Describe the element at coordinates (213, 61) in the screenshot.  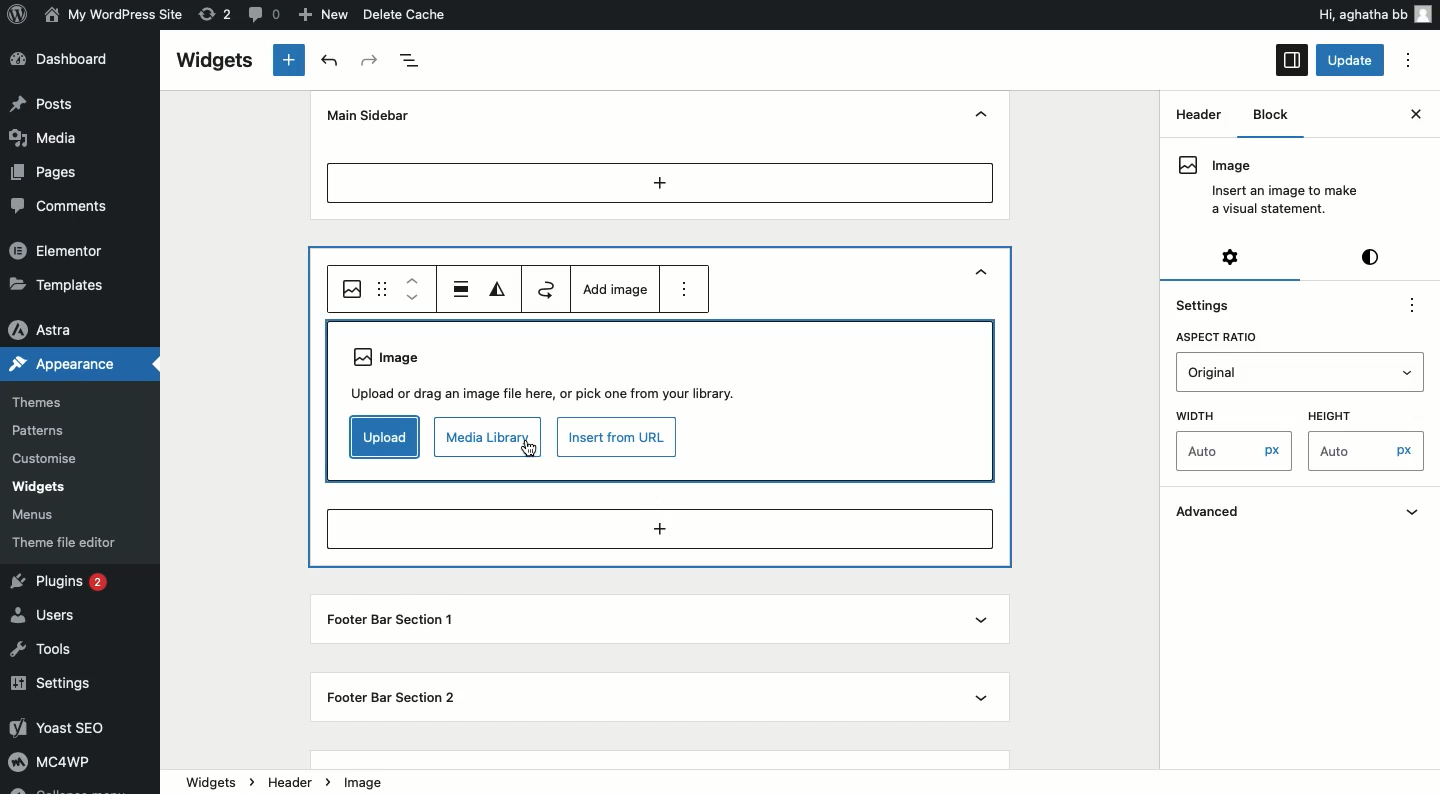
I see `Widgets` at that location.